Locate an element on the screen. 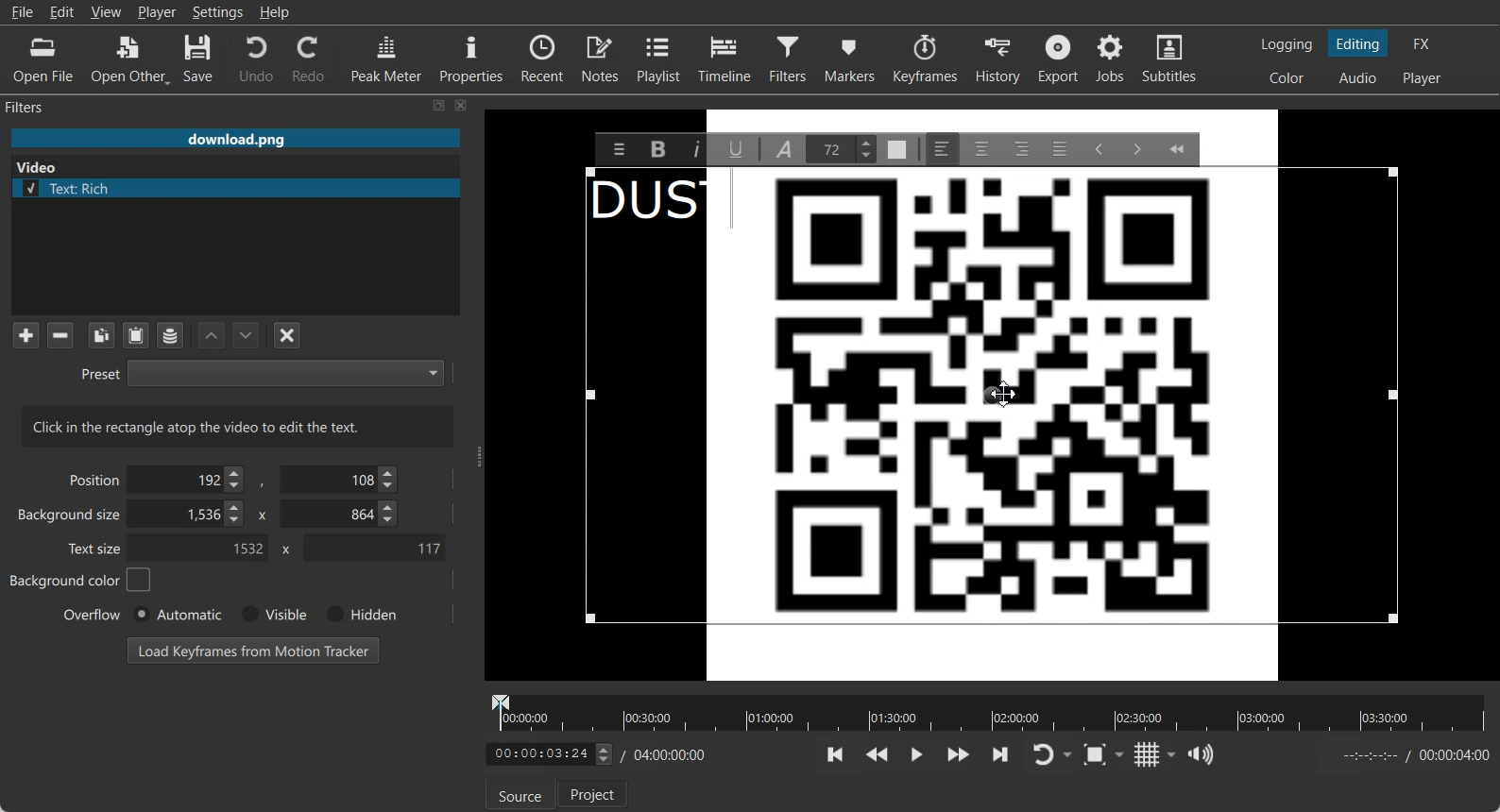 This screenshot has height=812, width=1500. Text size is located at coordinates (96, 548).